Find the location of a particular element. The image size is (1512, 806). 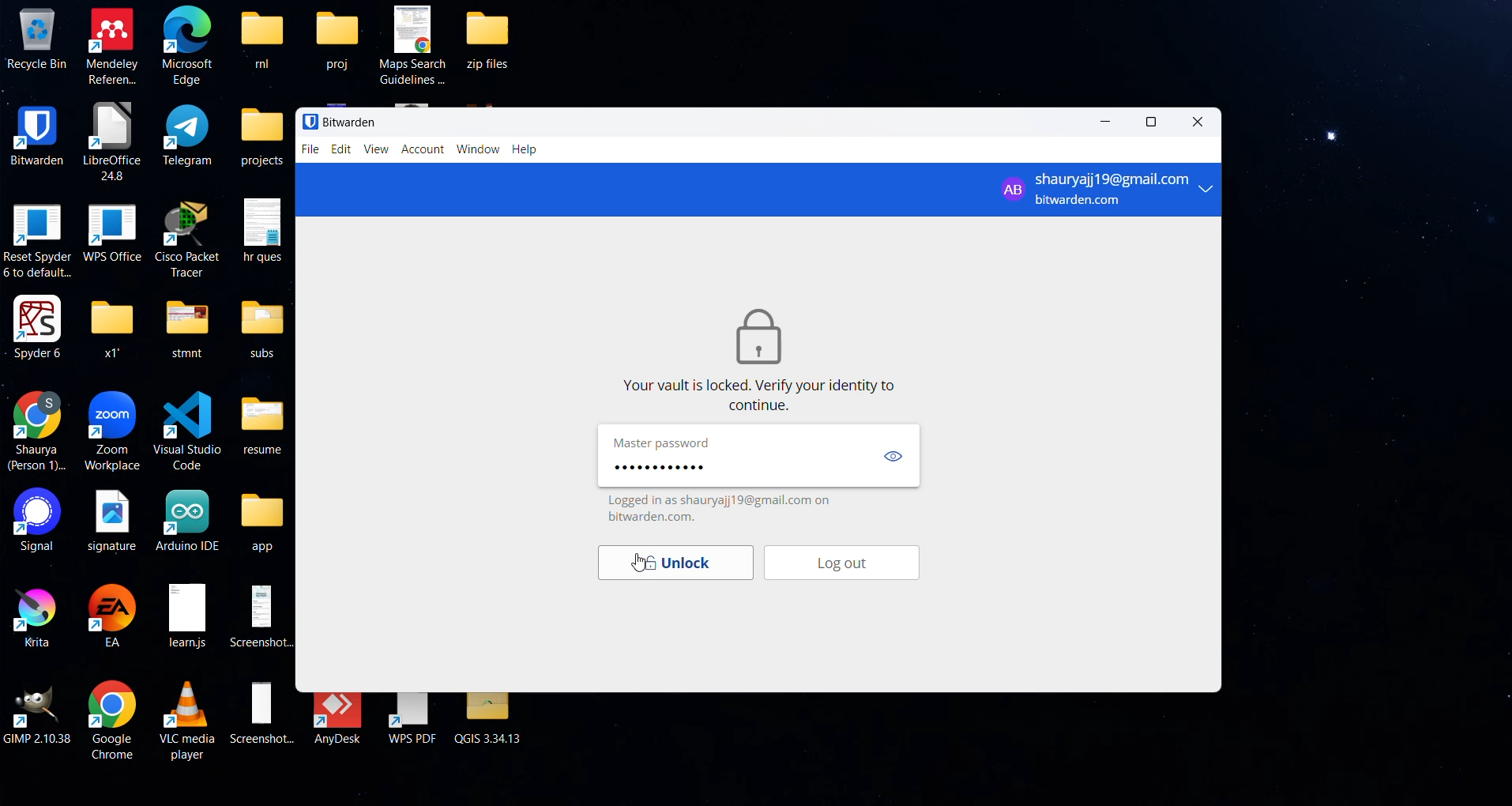

WPS Office is located at coordinates (111, 230).